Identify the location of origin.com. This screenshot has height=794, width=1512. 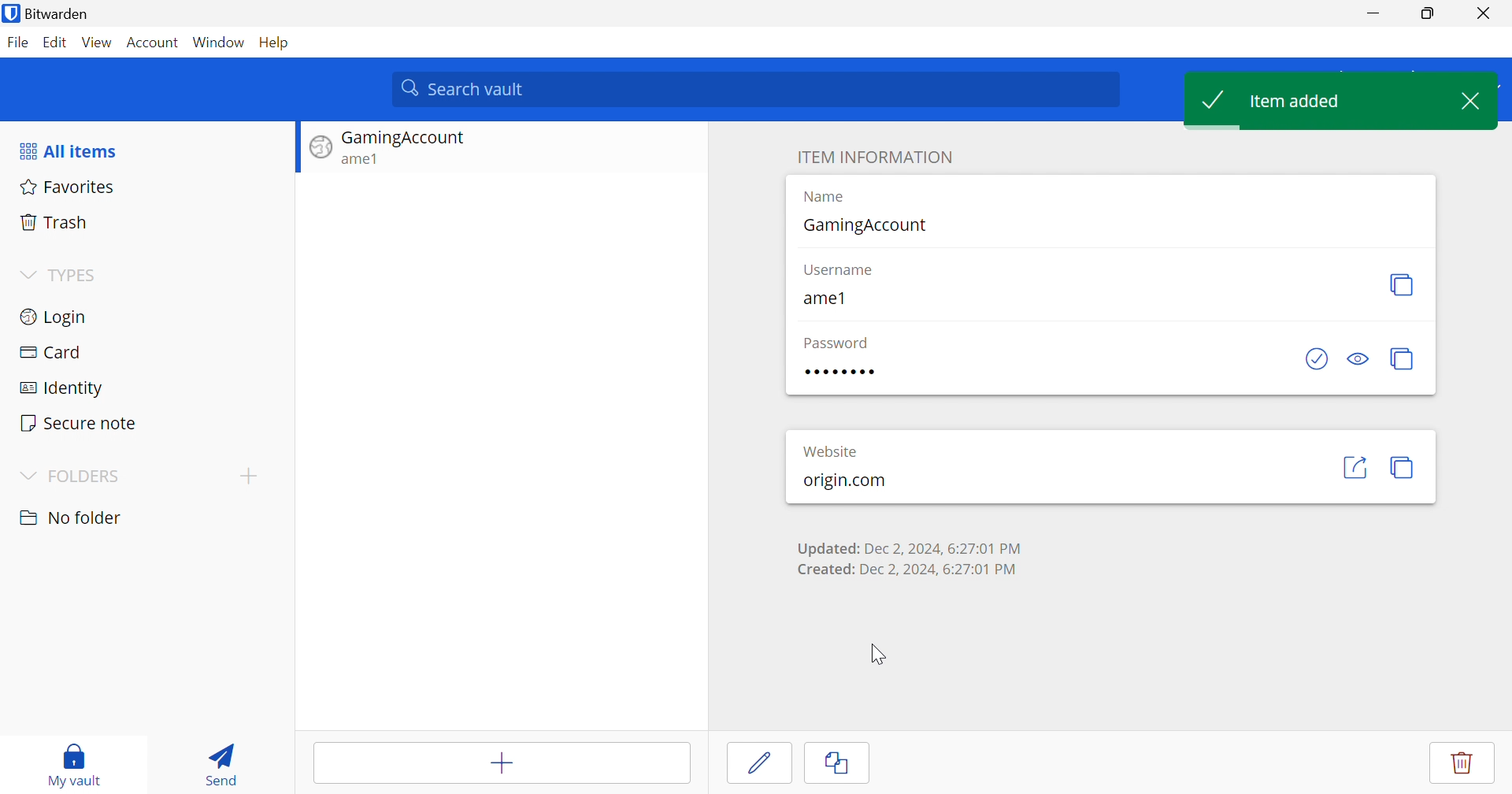
(845, 483).